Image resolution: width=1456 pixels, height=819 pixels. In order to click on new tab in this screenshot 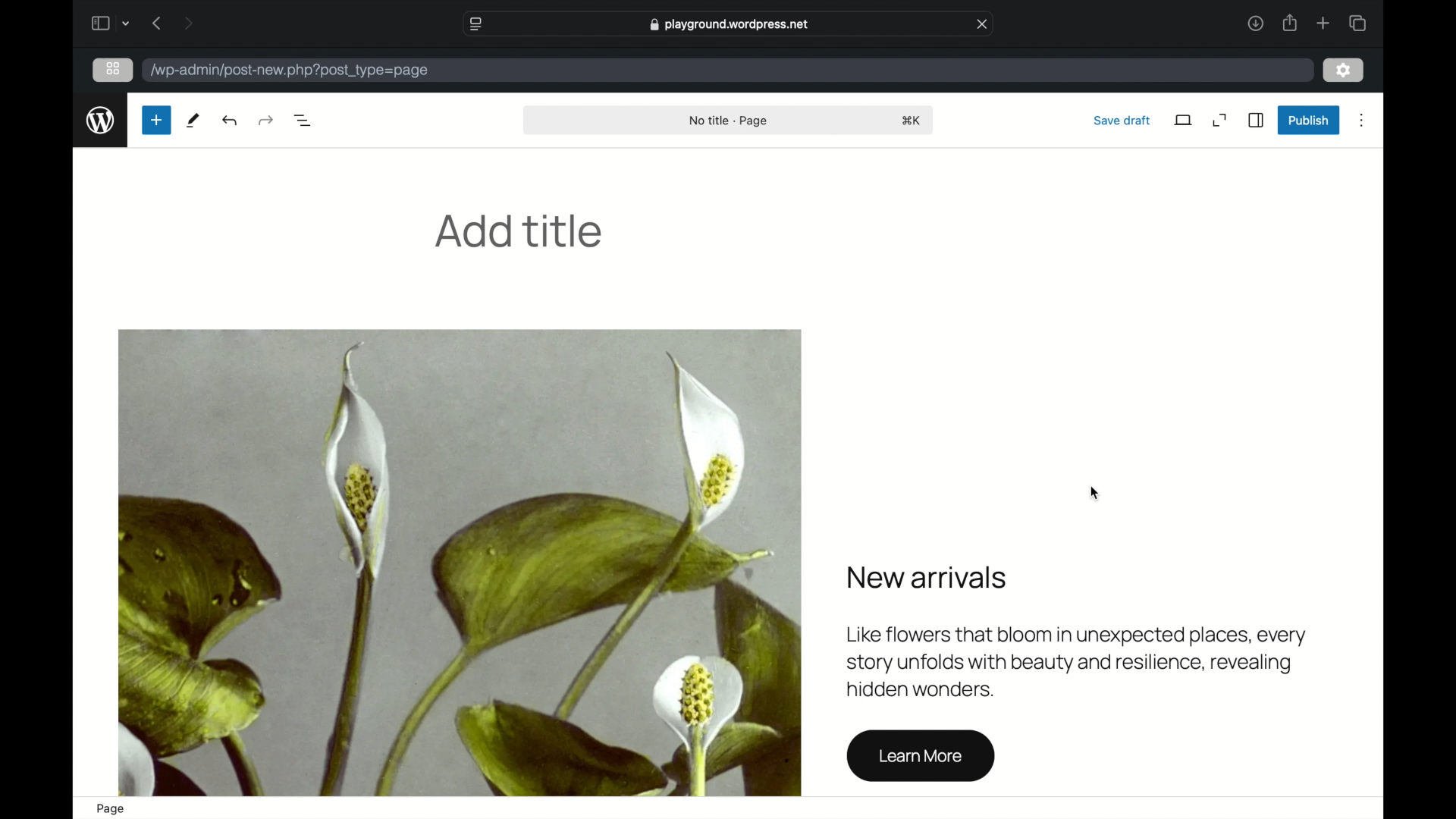, I will do `click(1323, 23)`.